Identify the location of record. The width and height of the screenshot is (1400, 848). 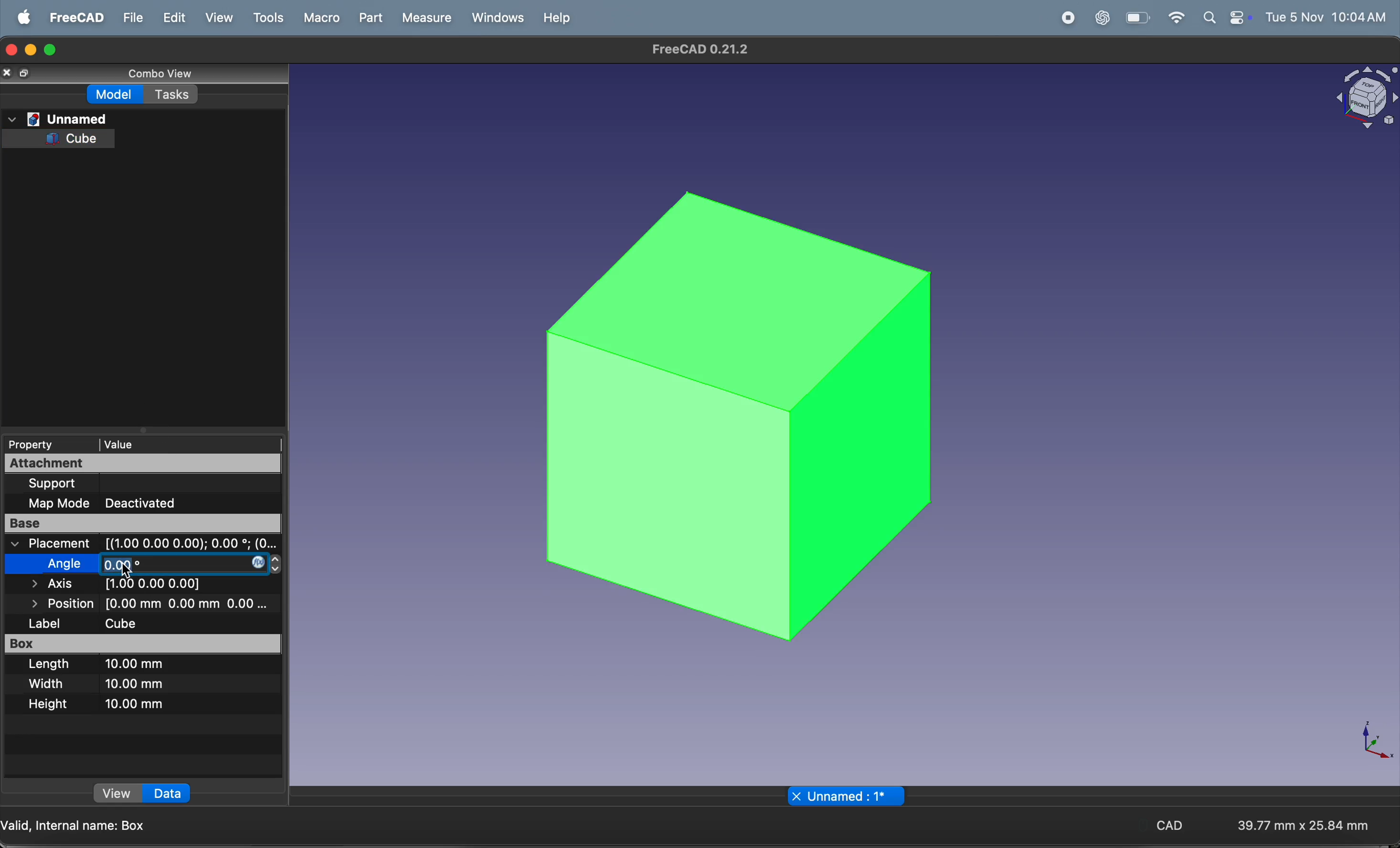
(1064, 16).